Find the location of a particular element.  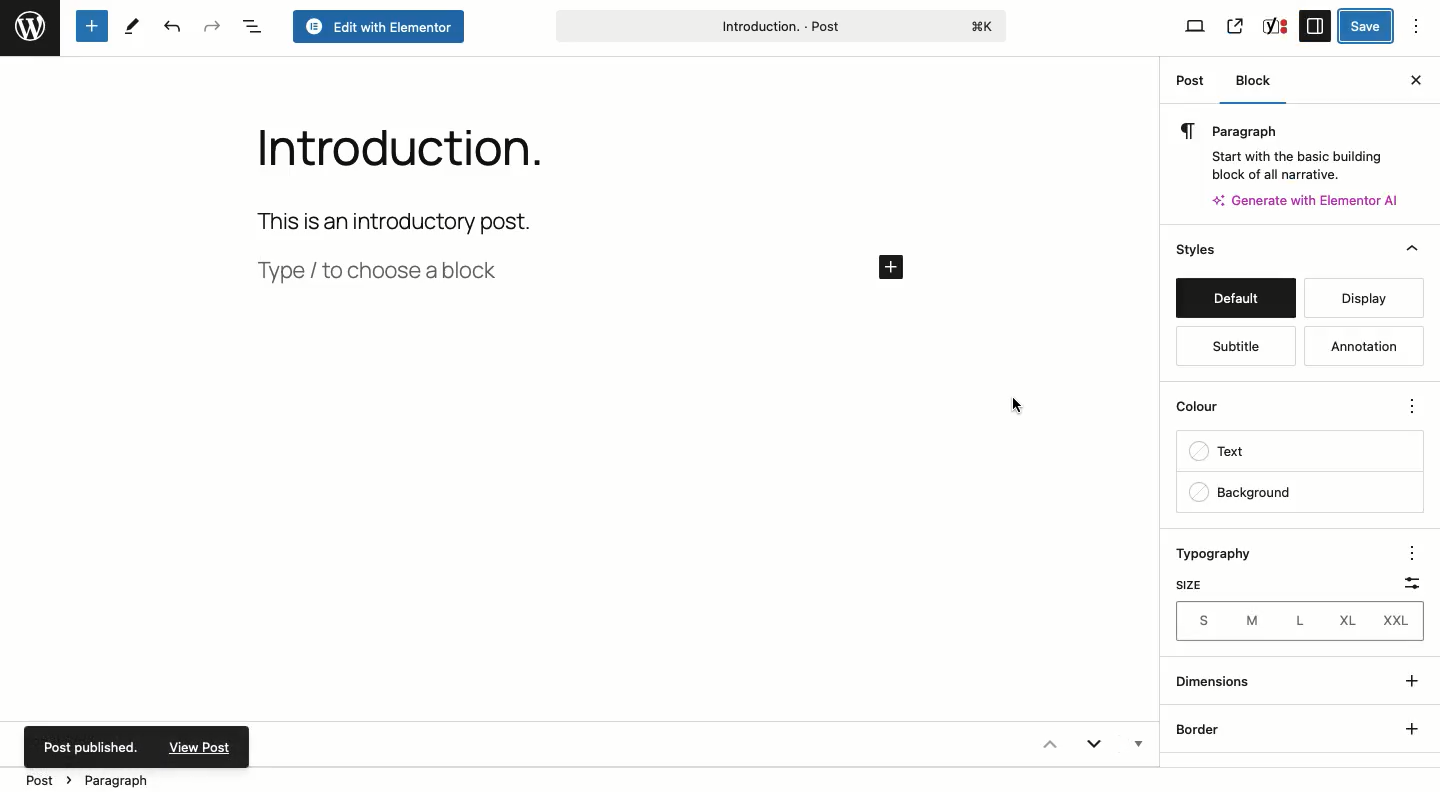

Styles is located at coordinates (1233, 251).